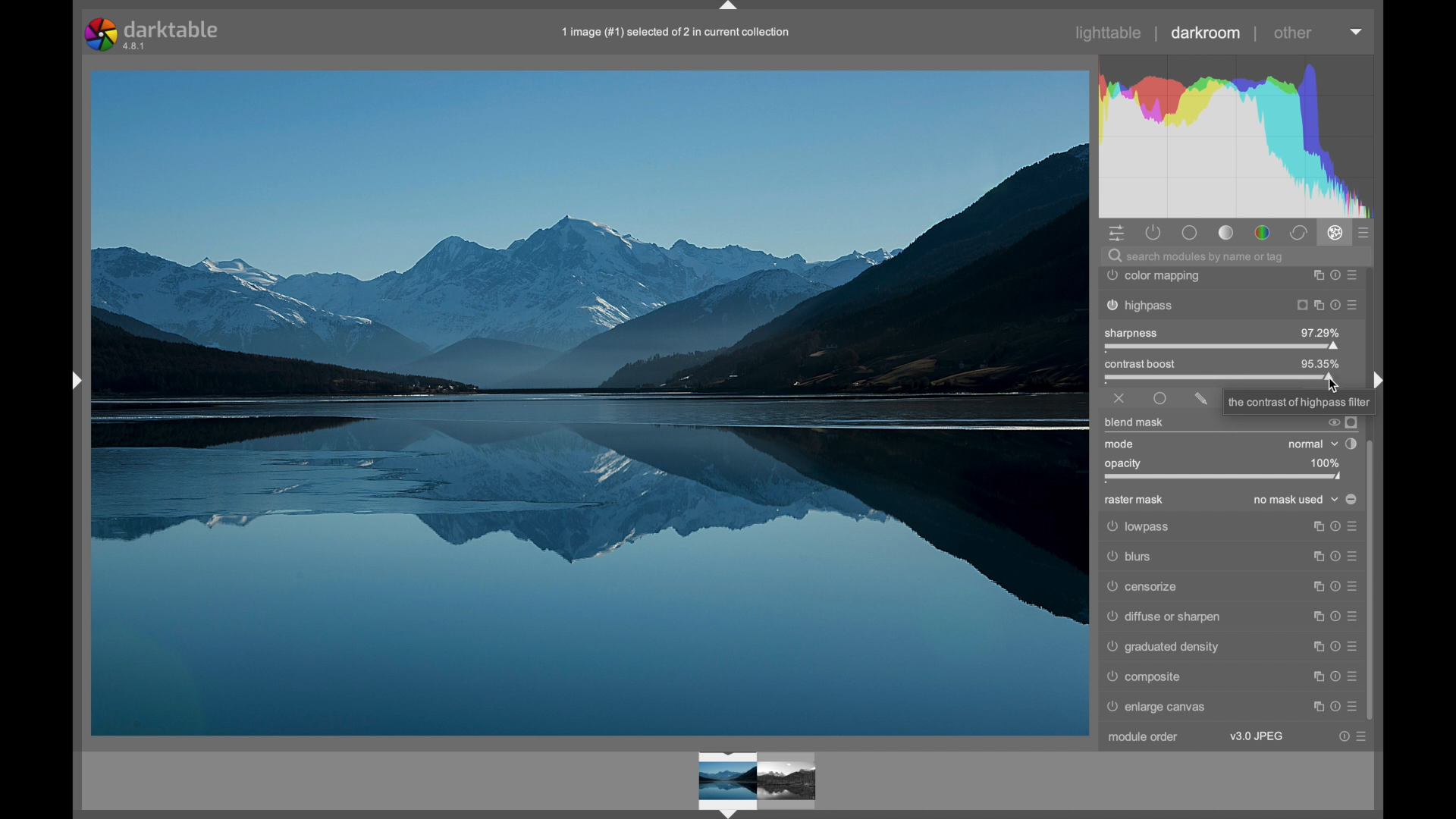 This screenshot has width=1456, height=819. Describe the element at coordinates (1335, 647) in the screenshot. I see `more options` at that location.